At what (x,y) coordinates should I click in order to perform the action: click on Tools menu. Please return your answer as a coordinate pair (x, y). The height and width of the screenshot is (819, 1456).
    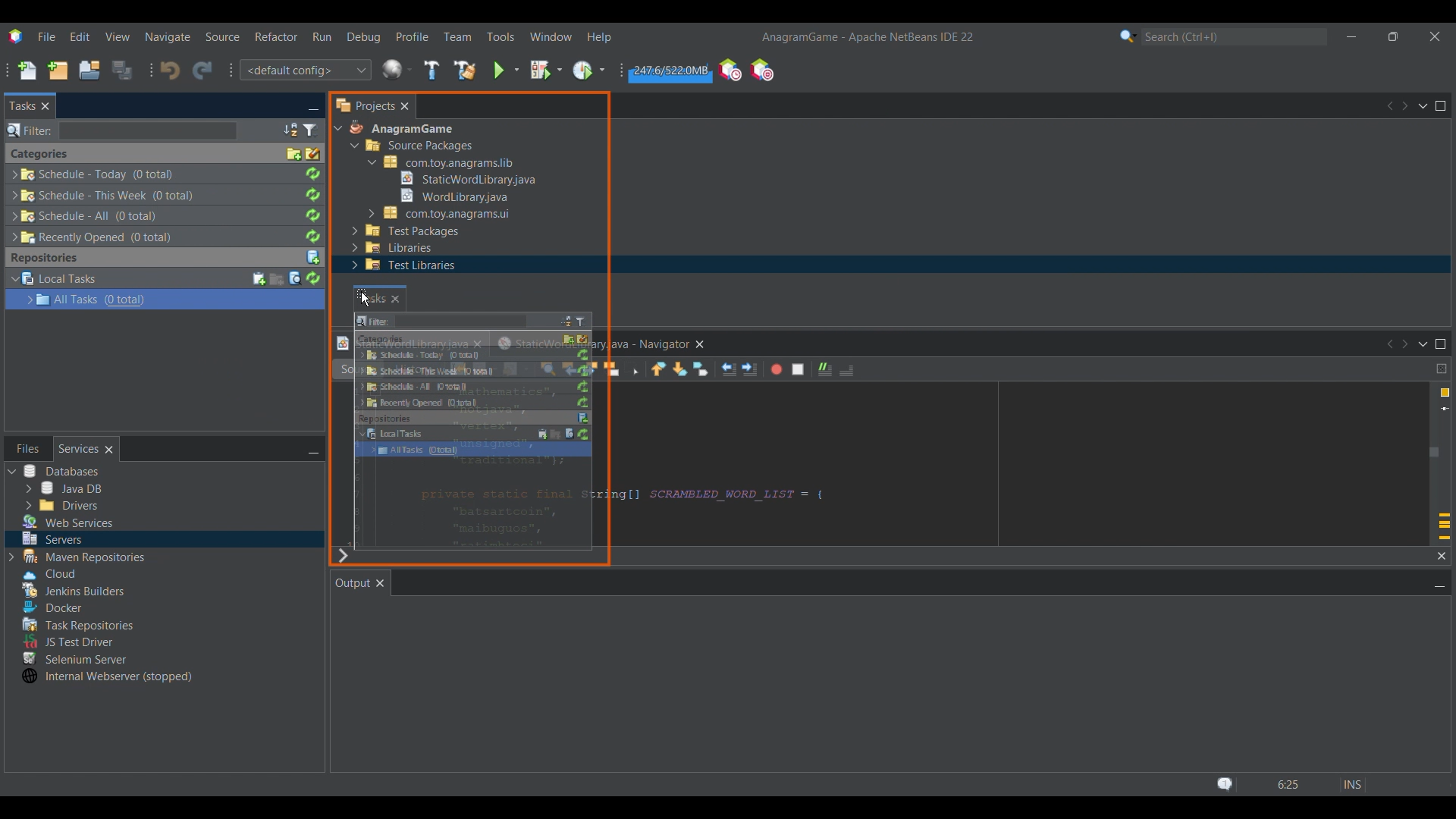
    Looking at the image, I should click on (500, 36).